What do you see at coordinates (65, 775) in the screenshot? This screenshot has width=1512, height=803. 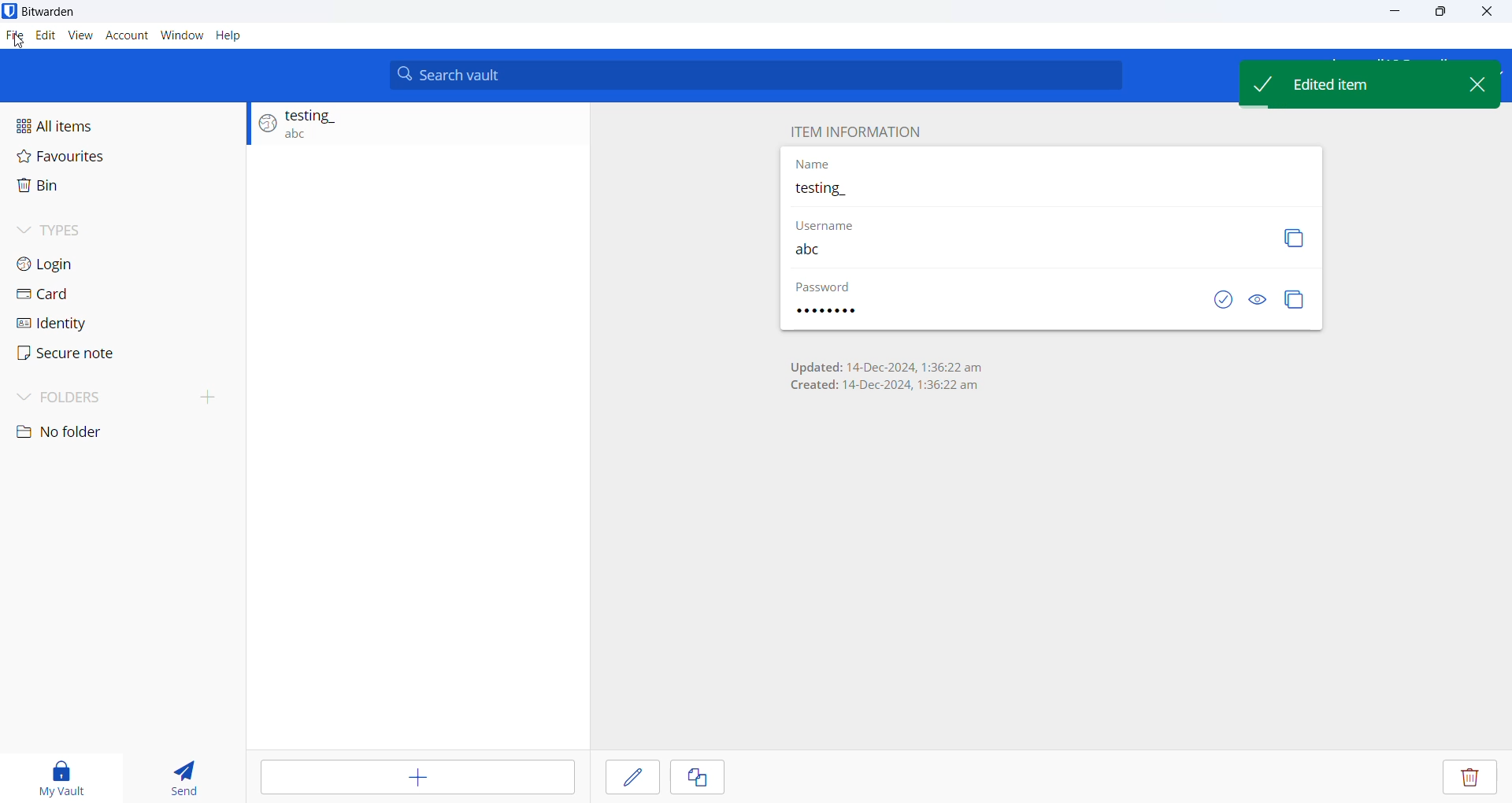 I see `My vault` at bounding box center [65, 775].